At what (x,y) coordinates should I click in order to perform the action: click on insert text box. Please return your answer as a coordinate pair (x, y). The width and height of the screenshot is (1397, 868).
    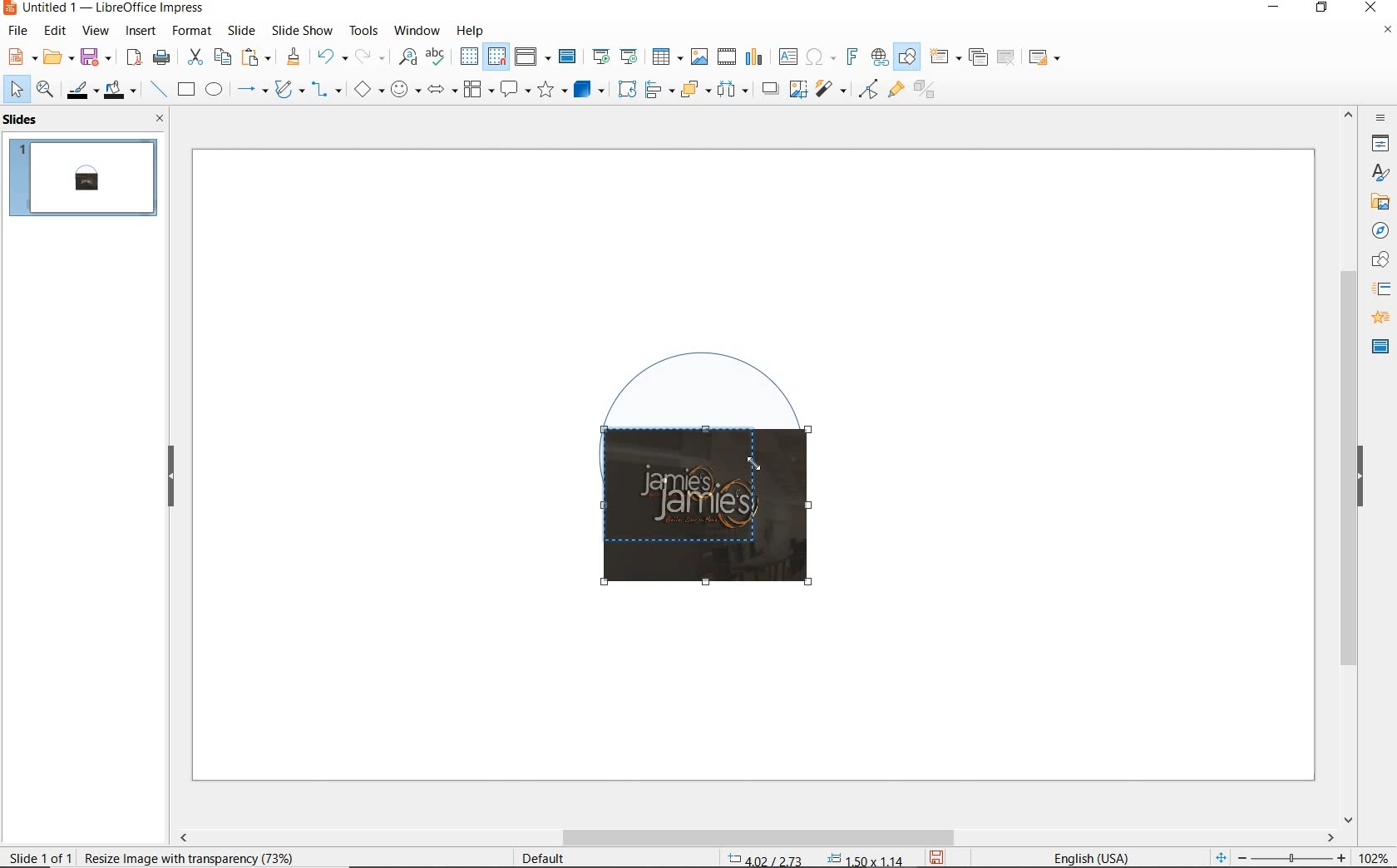
    Looking at the image, I should click on (787, 57).